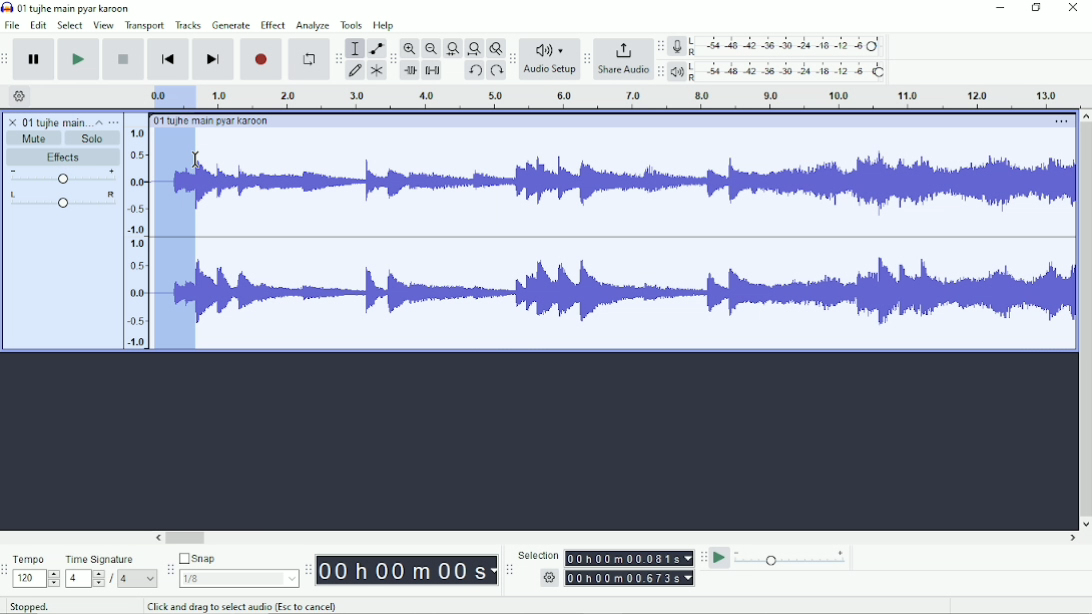 The image size is (1092, 614). I want to click on Time Signature, so click(110, 559).